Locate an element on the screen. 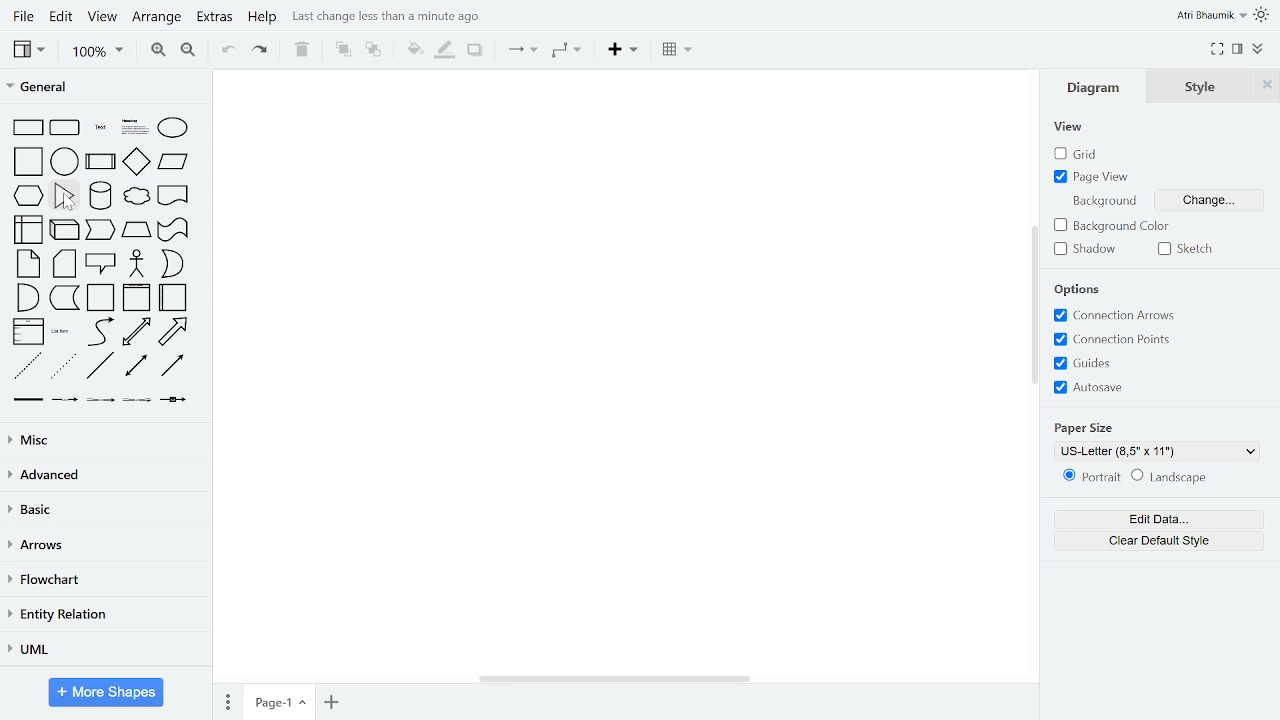  horizontal storage is located at coordinates (174, 298).